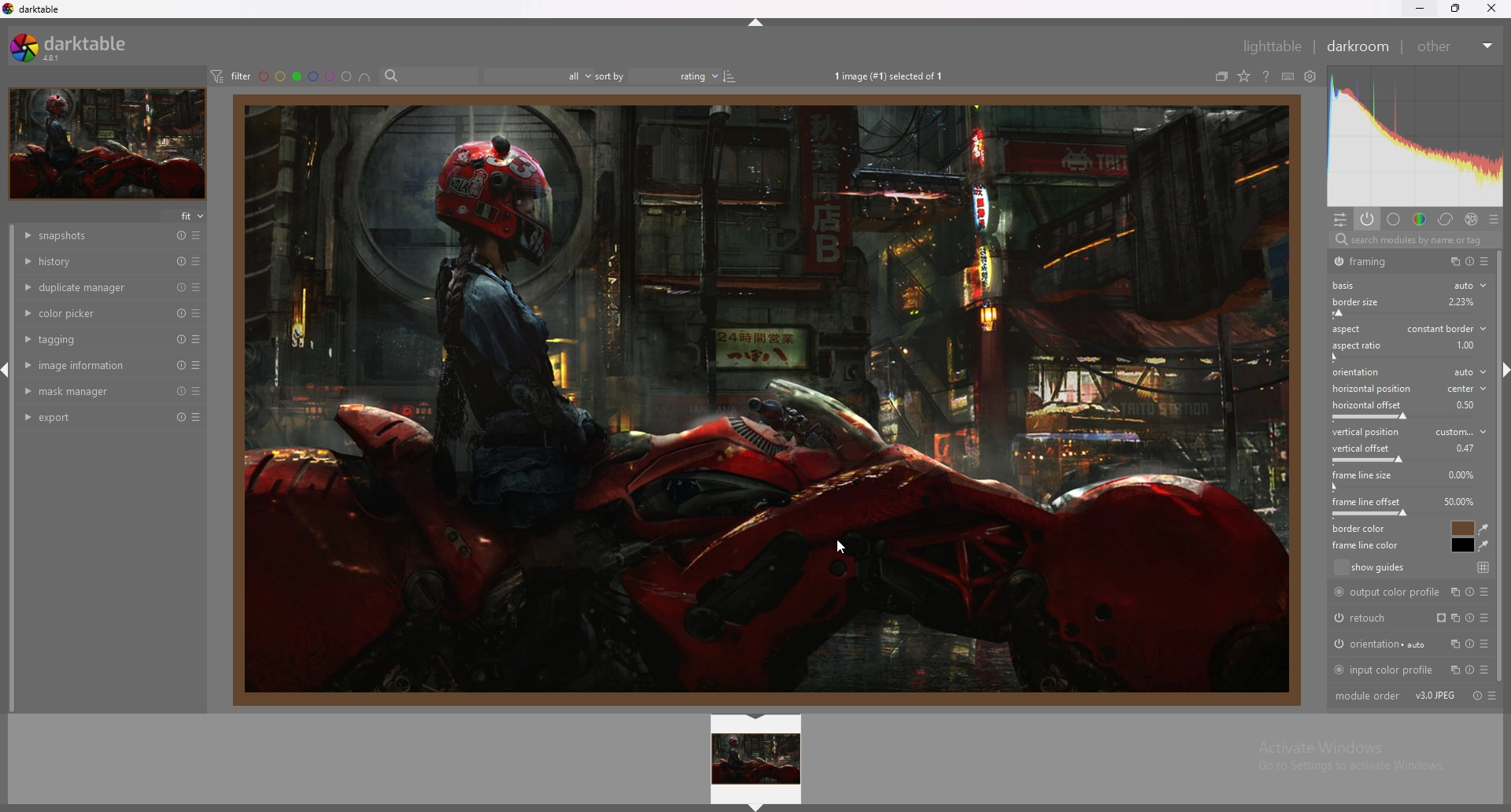 The width and height of the screenshot is (1511, 812). Describe the element at coordinates (181, 391) in the screenshot. I see `reset` at that location.